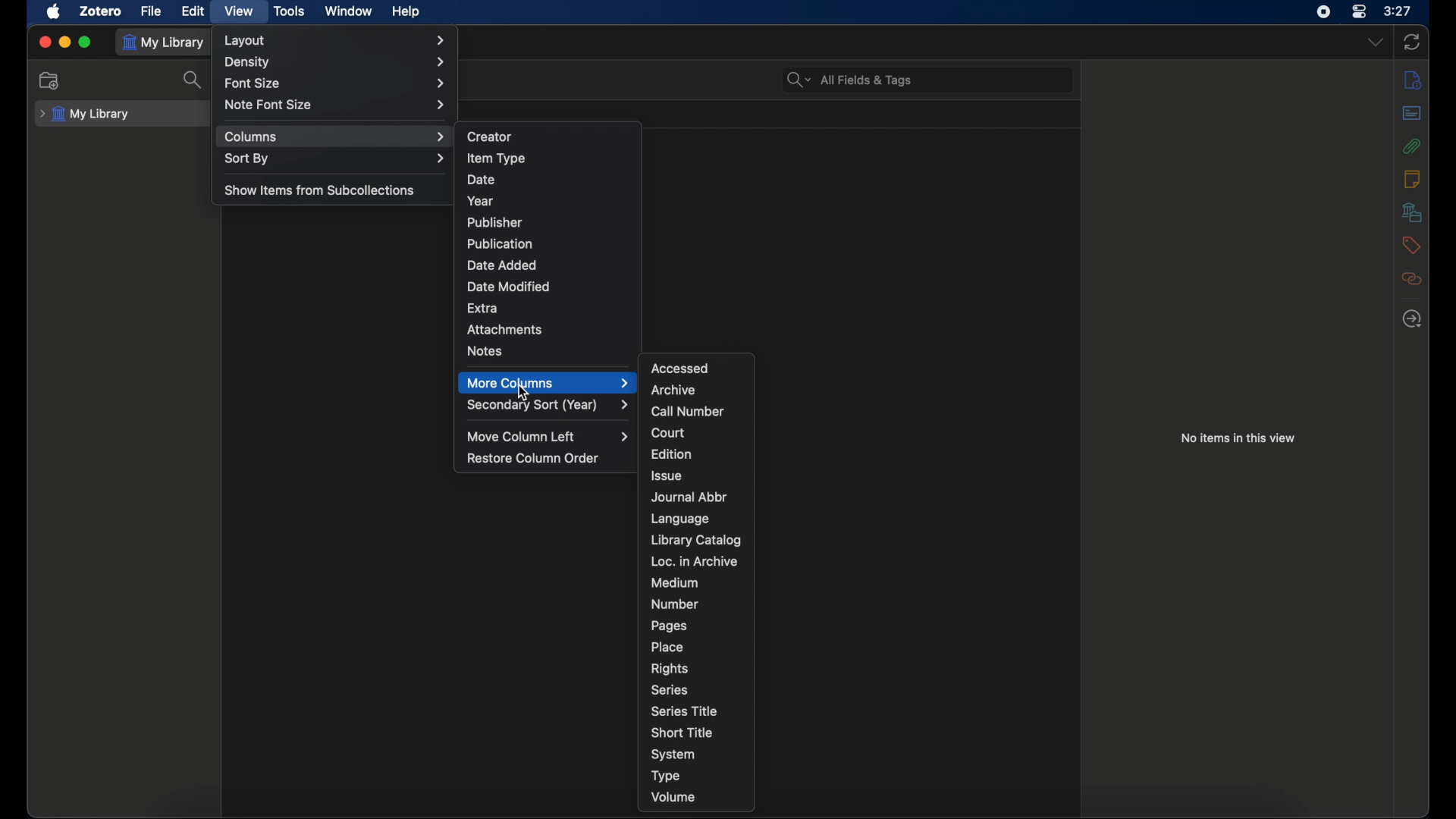  I want to click on my library, so click(86, 115).